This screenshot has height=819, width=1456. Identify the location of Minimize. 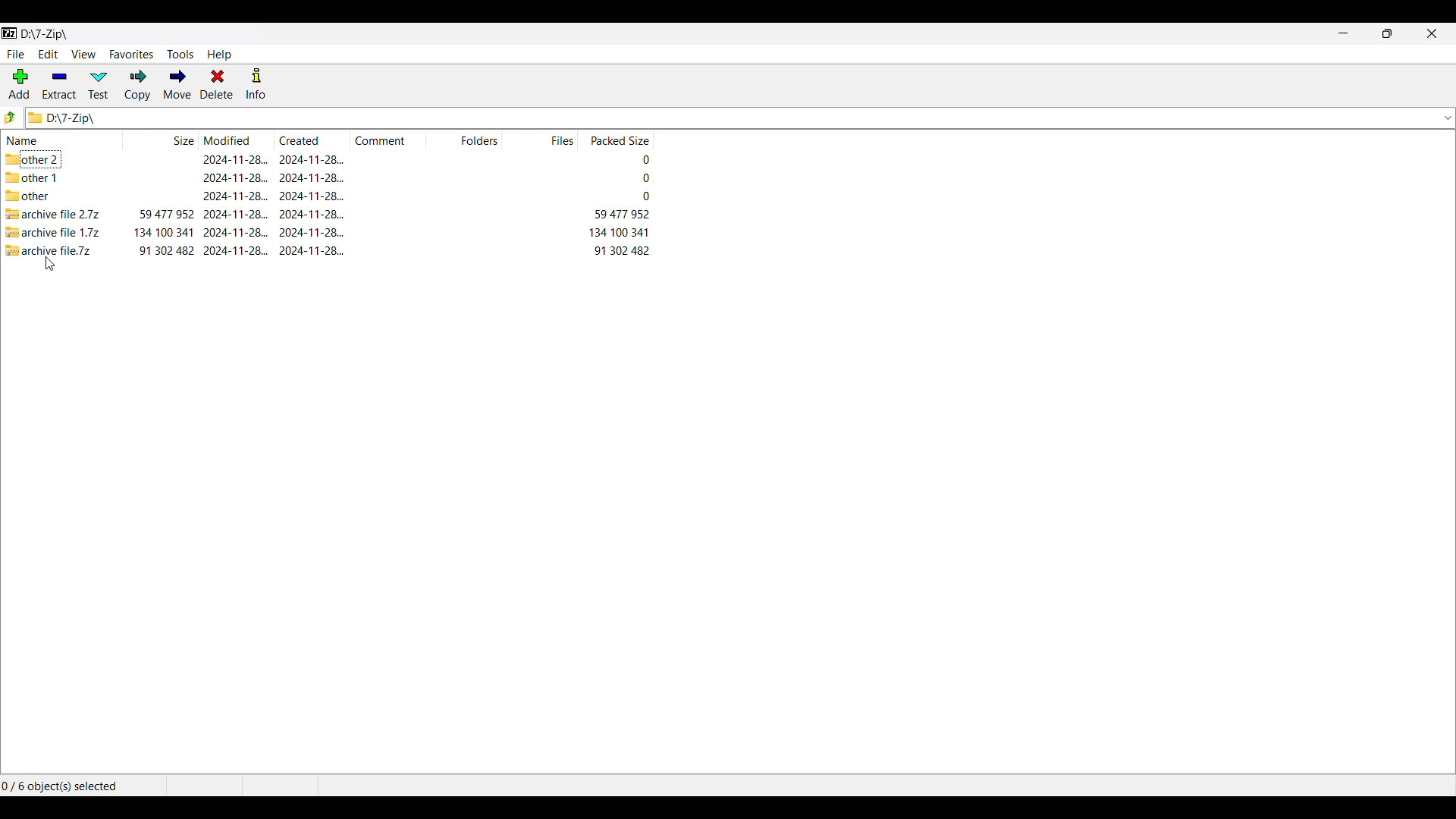
(1344, 33).